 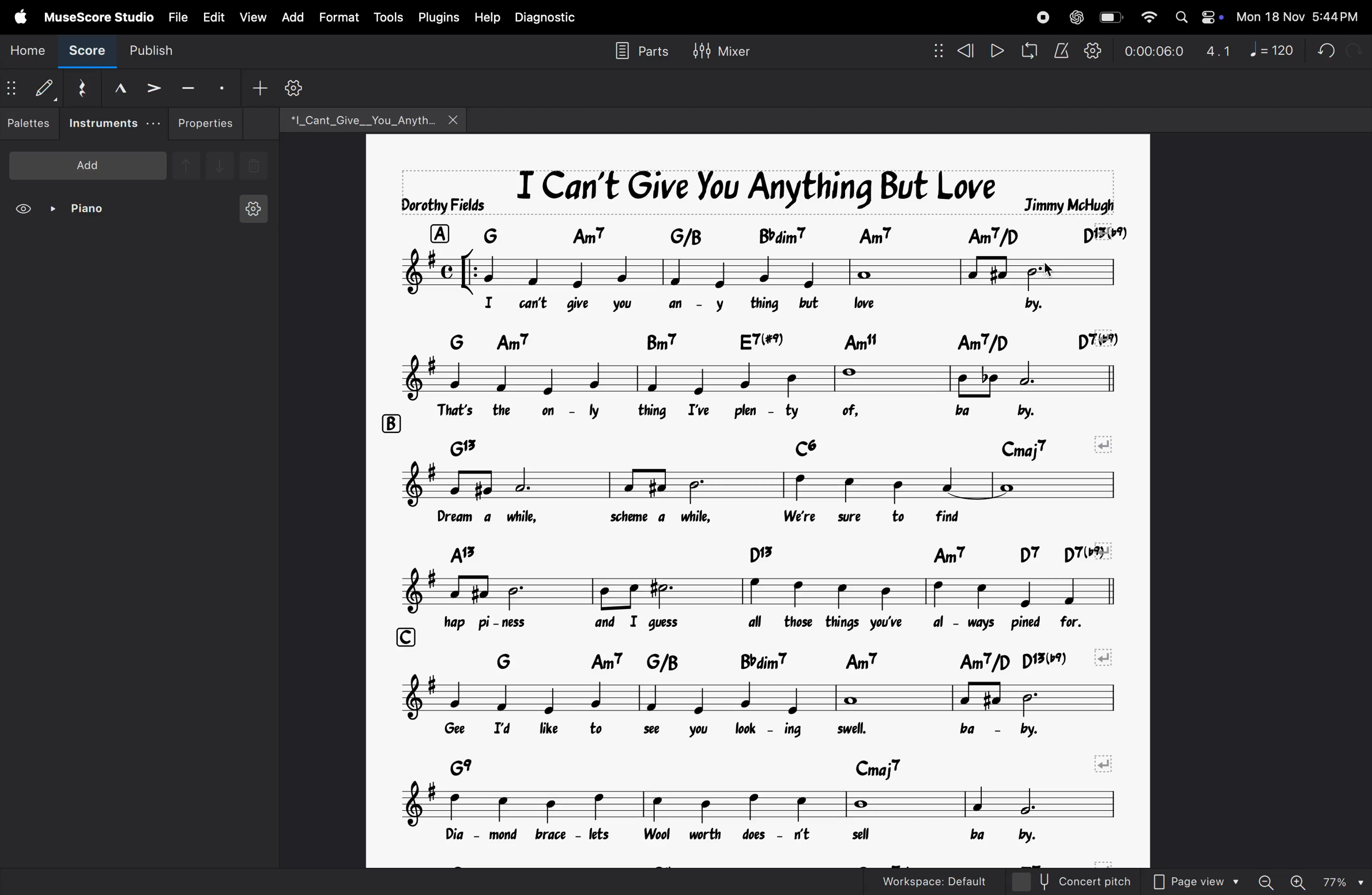 What do you see at coordinates (390, 422) in the screenshot?
I see `rows` at bounding box center [390, 422].